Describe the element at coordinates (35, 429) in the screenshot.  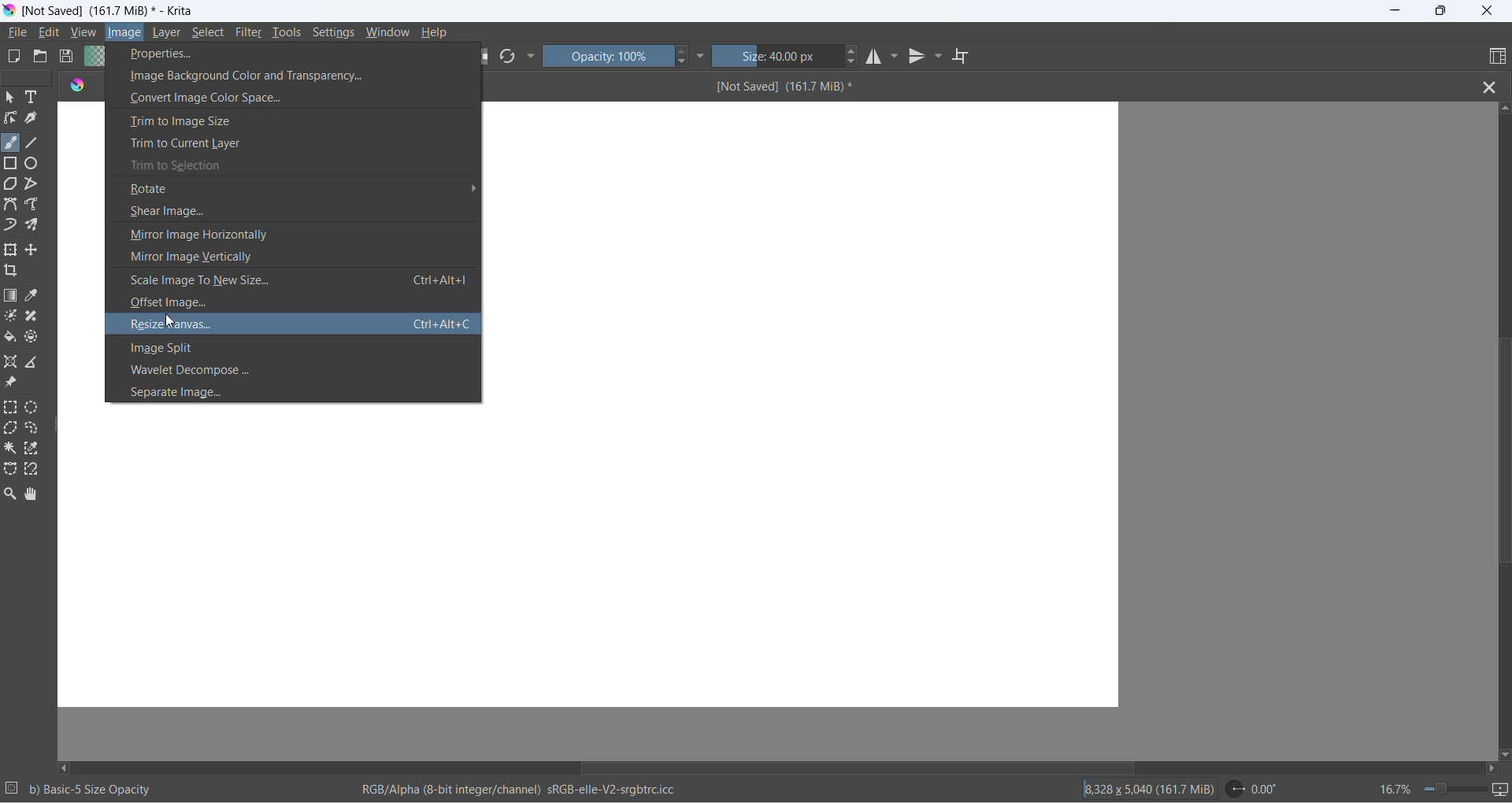
I see `freehand selection tool` at that location.